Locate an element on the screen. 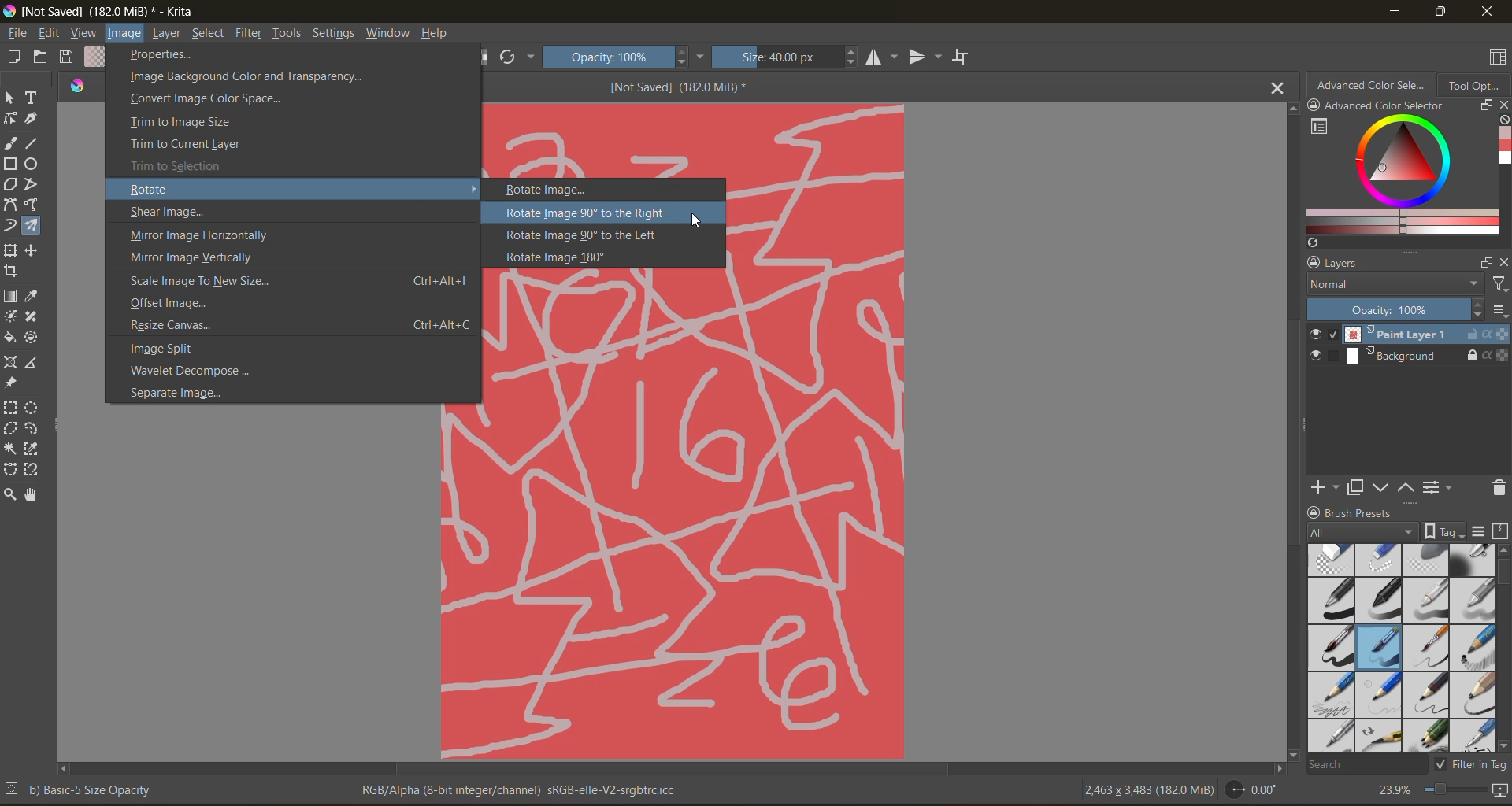 The height and width of the screenshot is (806, 1512). float docker is located at coordinates (1486, 106).